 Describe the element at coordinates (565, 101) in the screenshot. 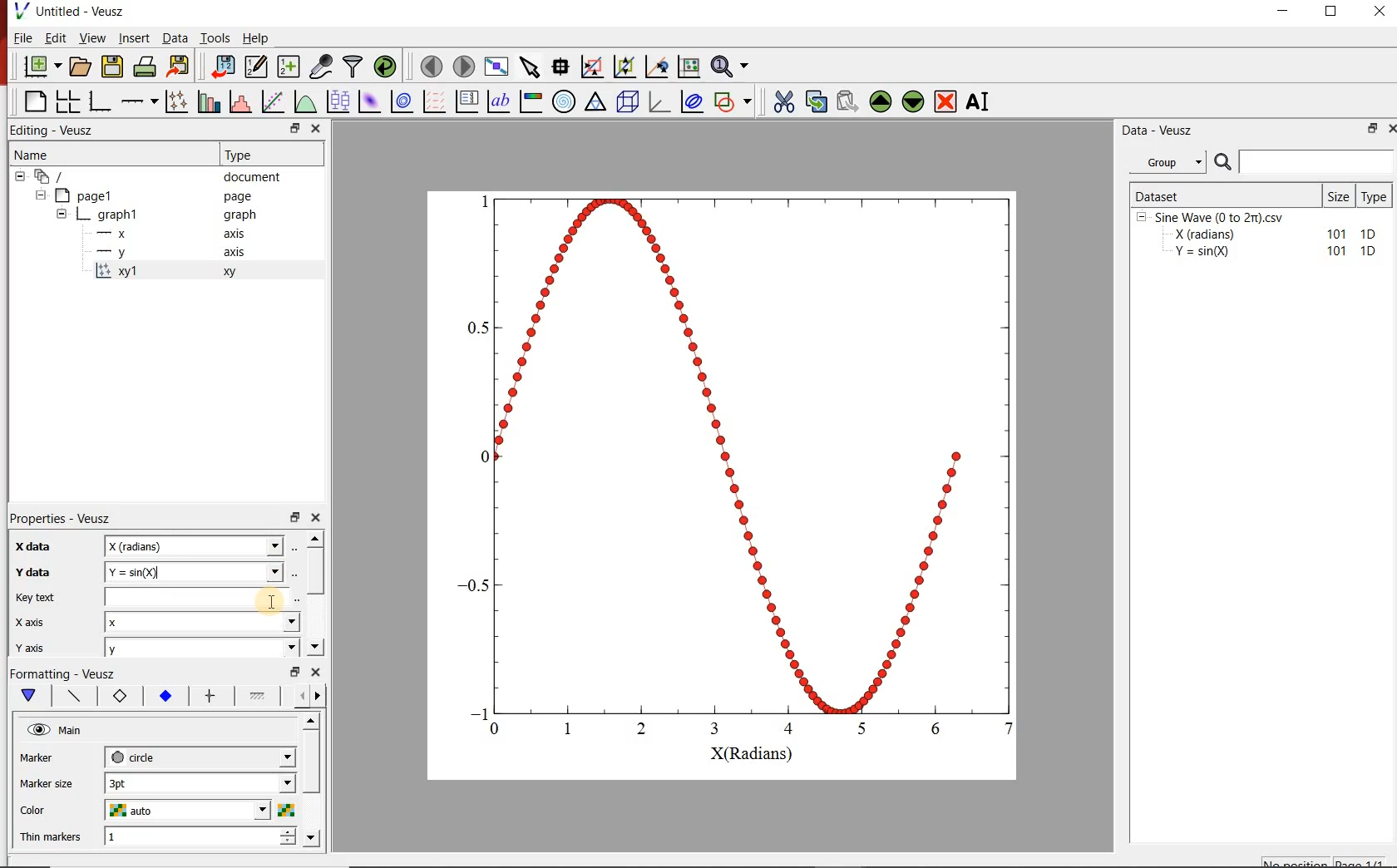

I see `Polar graph` at that location.